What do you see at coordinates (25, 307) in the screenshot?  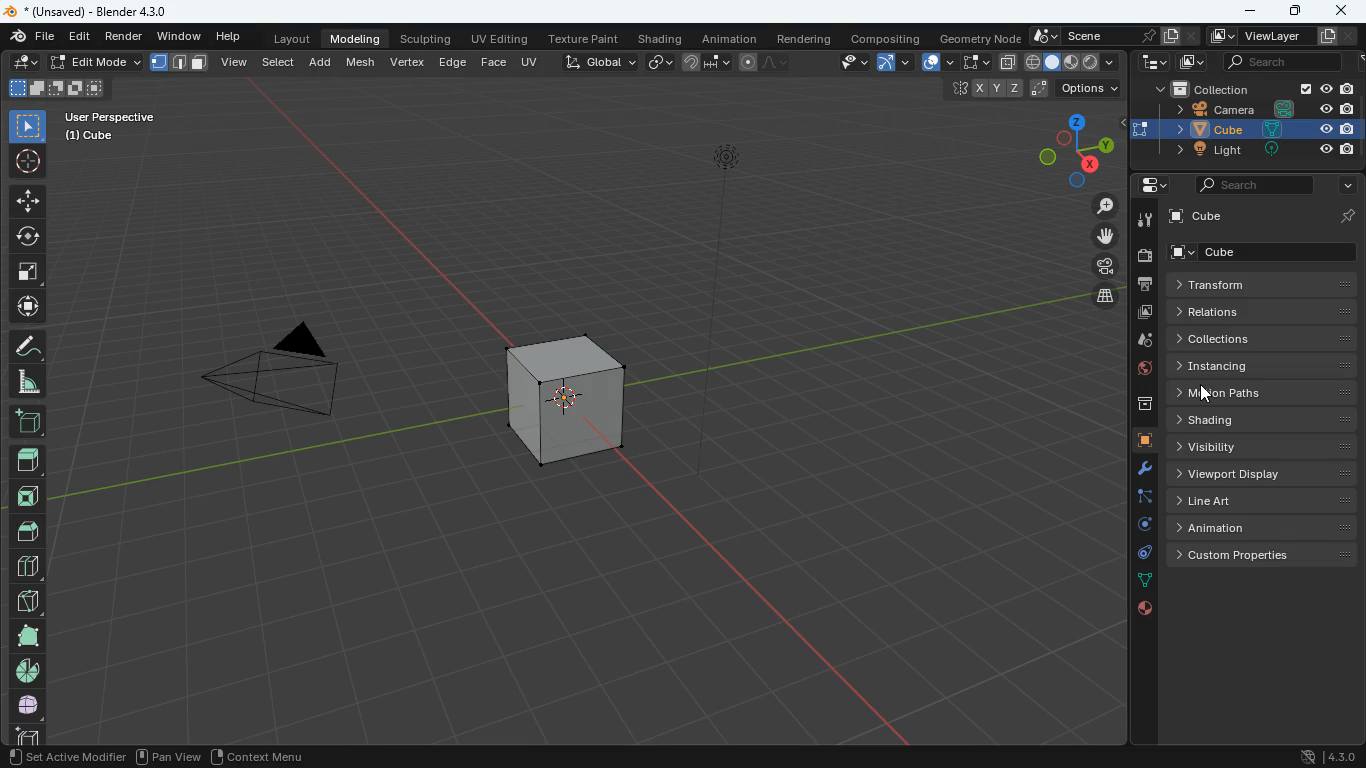 I see `move` at bounding box center [25, 307].